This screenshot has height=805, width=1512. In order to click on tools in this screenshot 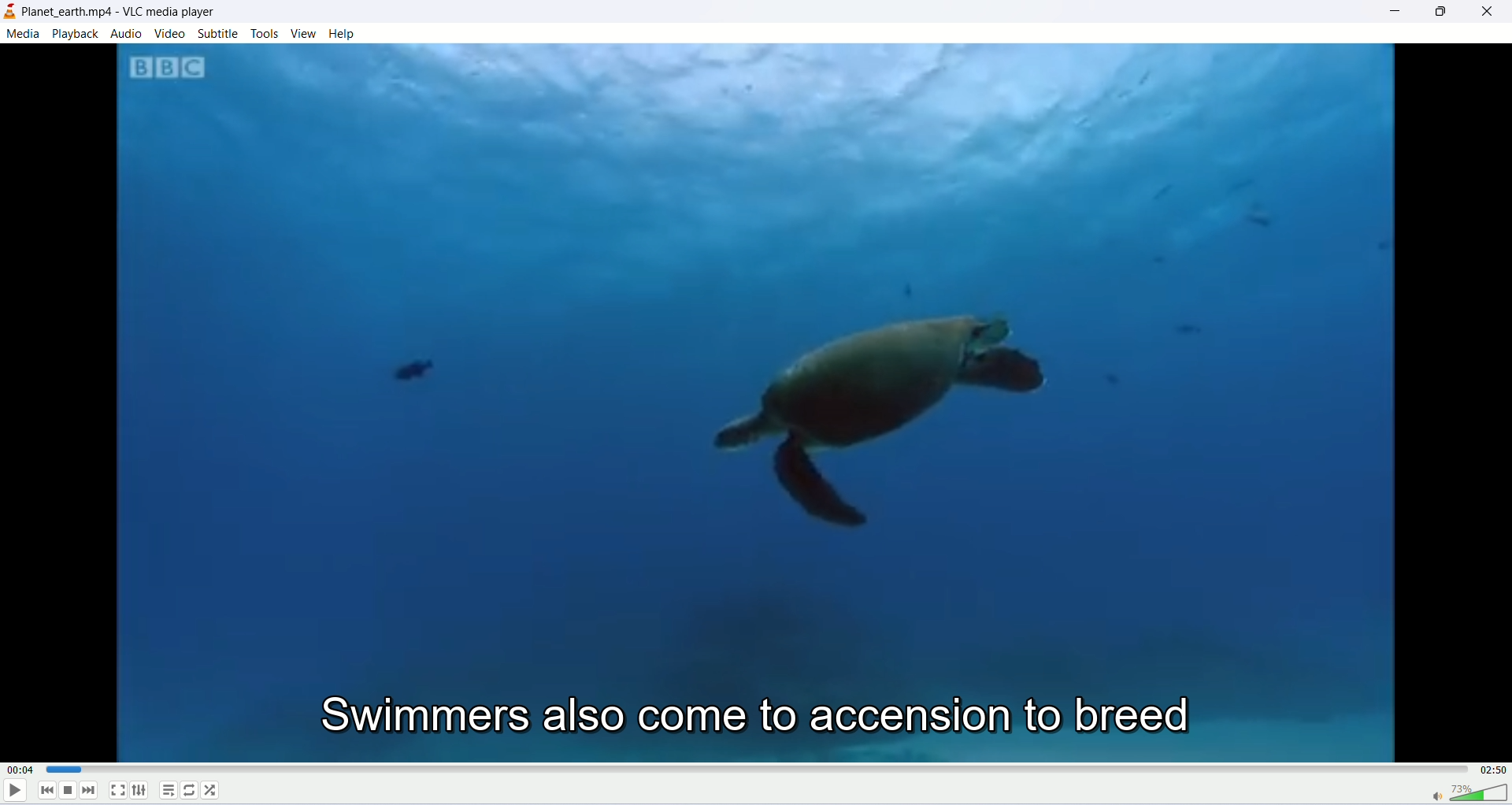, I will do `click(263, 32)`.